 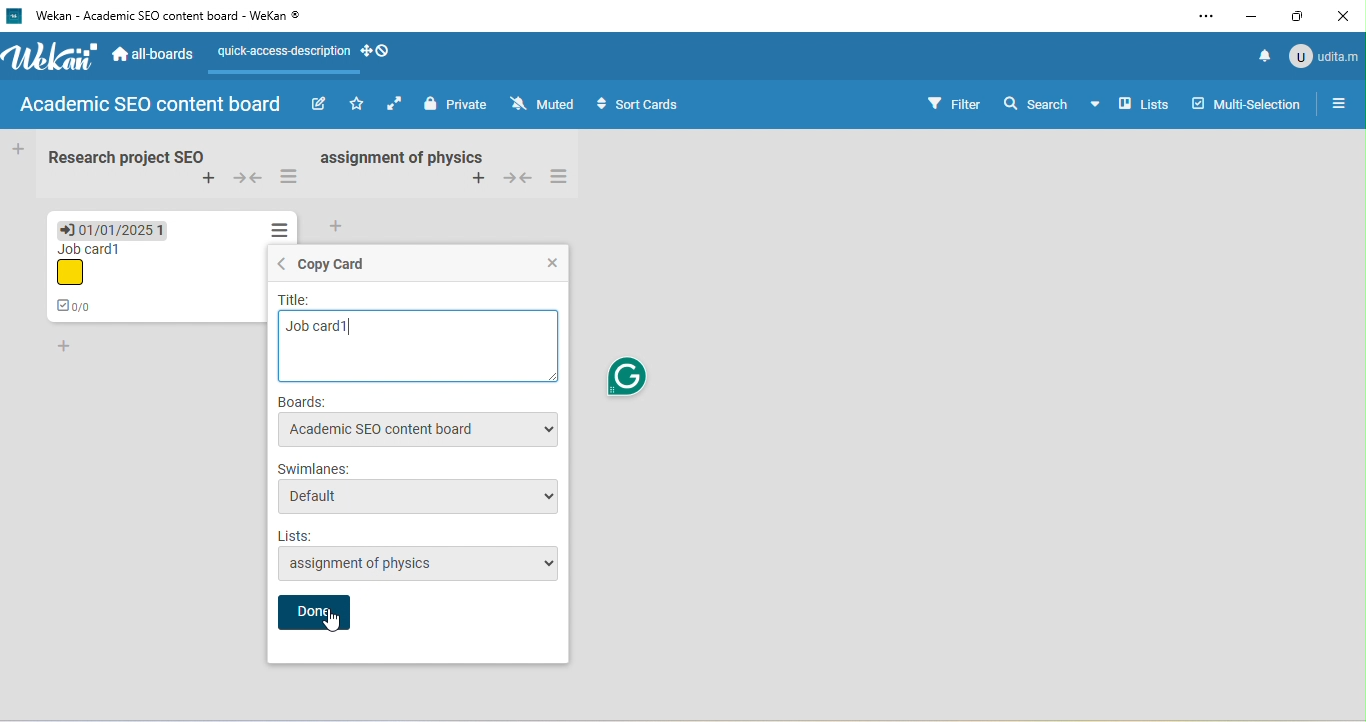 I want to click on add, so click(x=18, y=147).